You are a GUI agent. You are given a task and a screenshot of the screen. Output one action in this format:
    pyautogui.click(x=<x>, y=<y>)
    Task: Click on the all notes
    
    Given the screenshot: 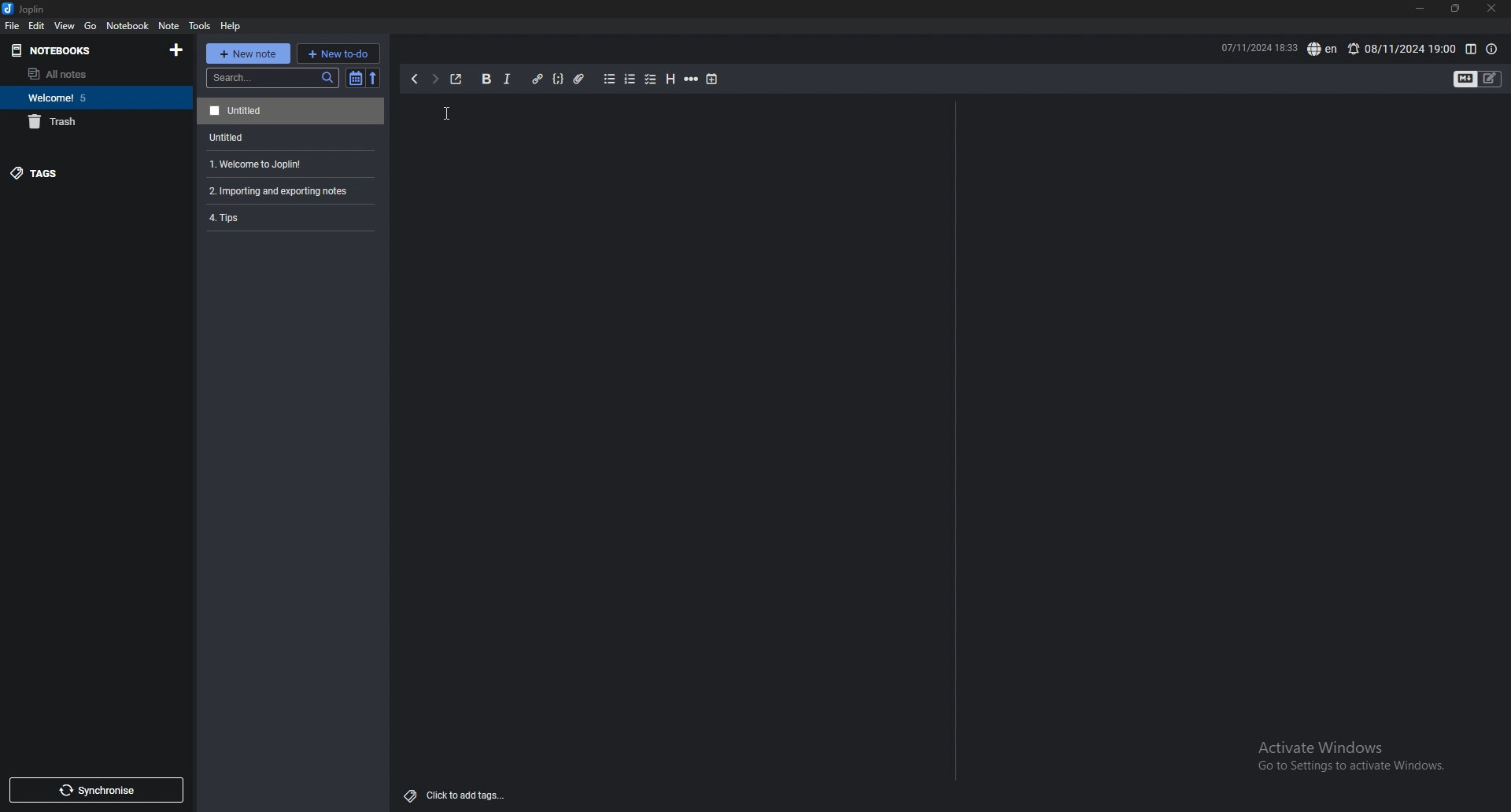 What is the action you would take?
    pyautogui.click(x=89, y=74)
    